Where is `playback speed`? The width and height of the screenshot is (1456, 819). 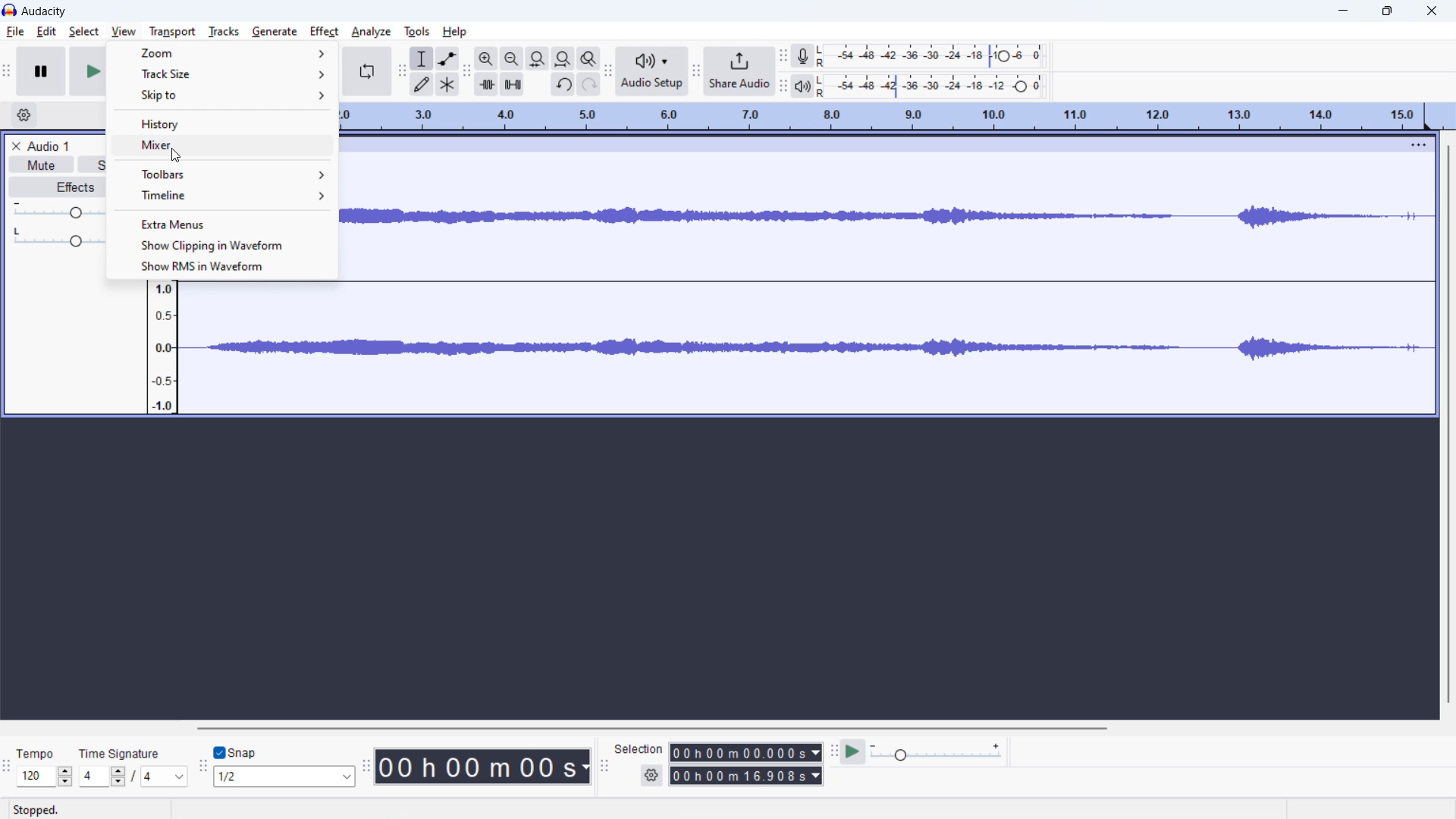 playback speed is located at coordinates (937, 752).